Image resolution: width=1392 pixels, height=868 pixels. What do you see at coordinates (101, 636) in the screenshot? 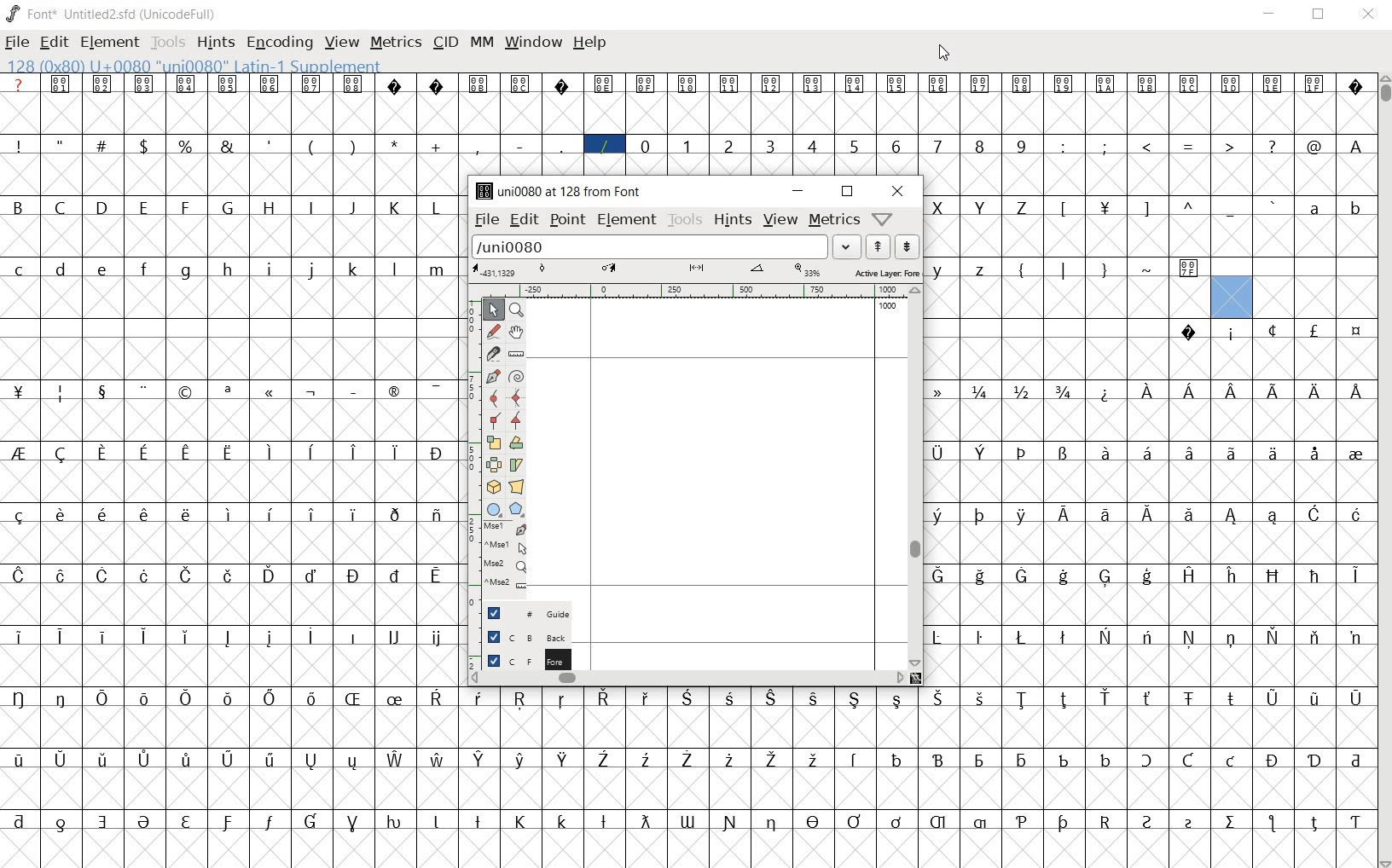
I see `glyph` at bounding box center [101, 636].